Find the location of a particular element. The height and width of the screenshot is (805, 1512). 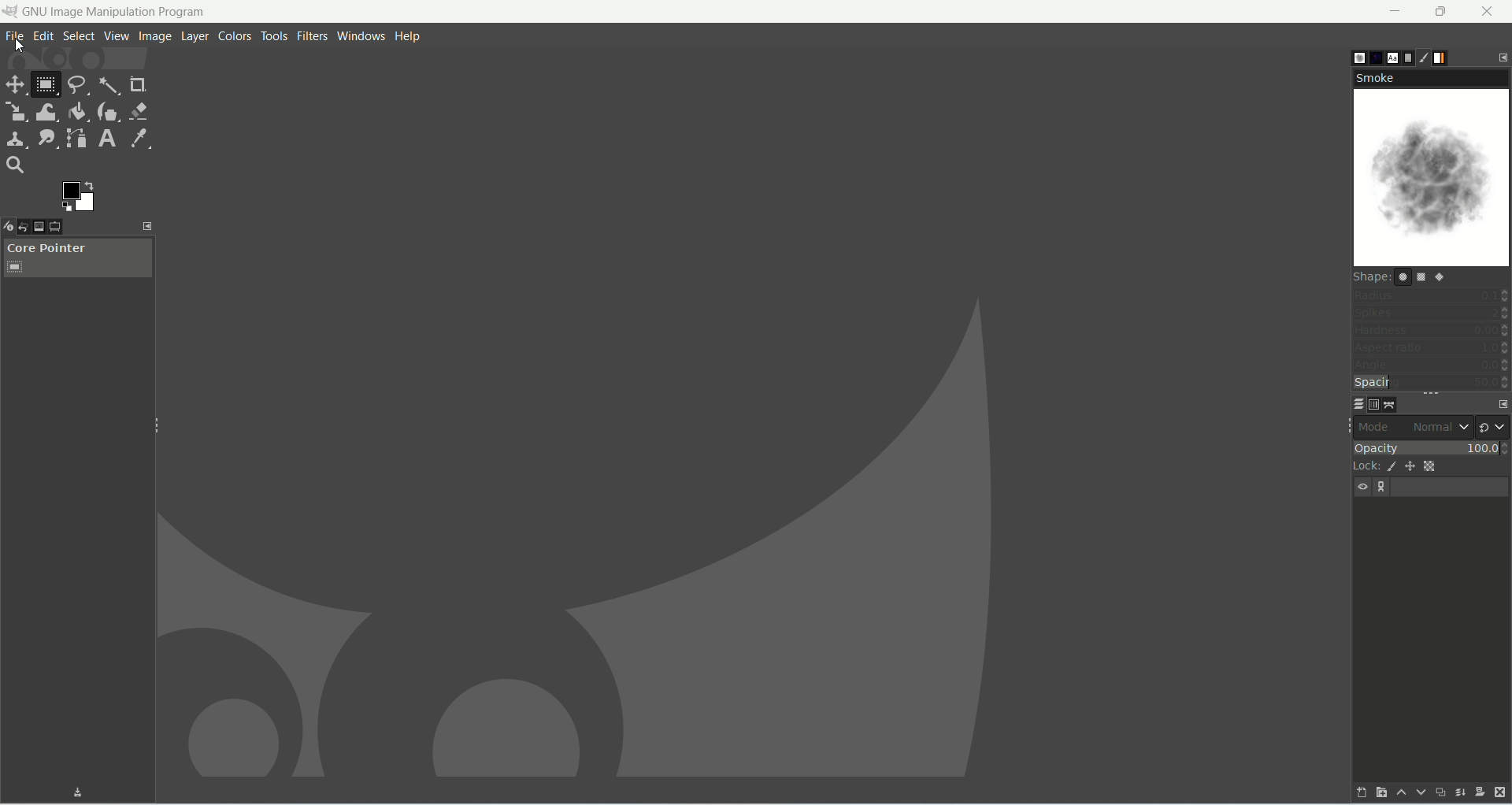

view is located at coordinates (116, 35).